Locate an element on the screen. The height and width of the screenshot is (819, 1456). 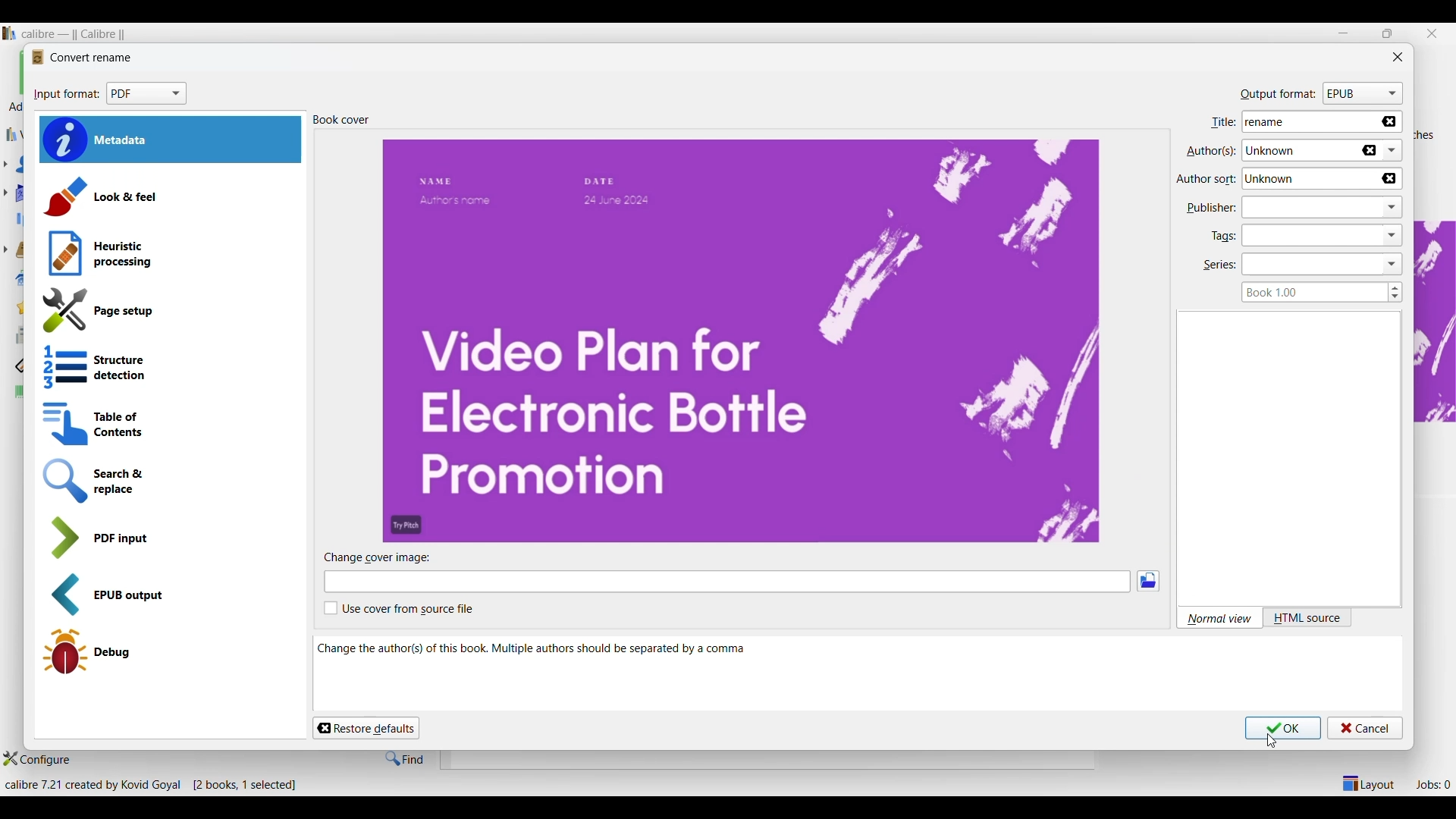
Details of software is located at coordinates (156, 785).